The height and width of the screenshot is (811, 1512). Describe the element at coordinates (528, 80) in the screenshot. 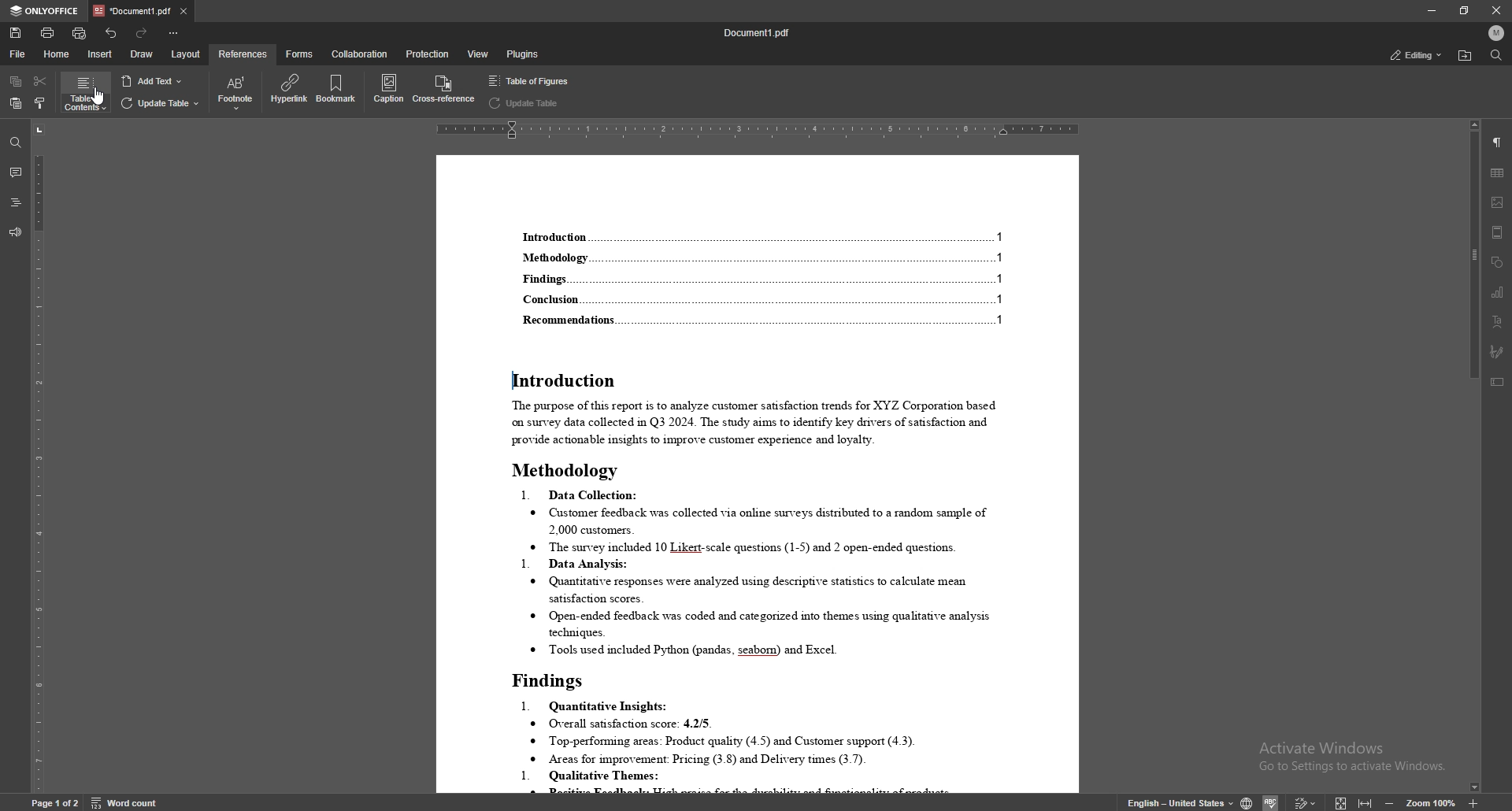

I see `table of figures` at that location.